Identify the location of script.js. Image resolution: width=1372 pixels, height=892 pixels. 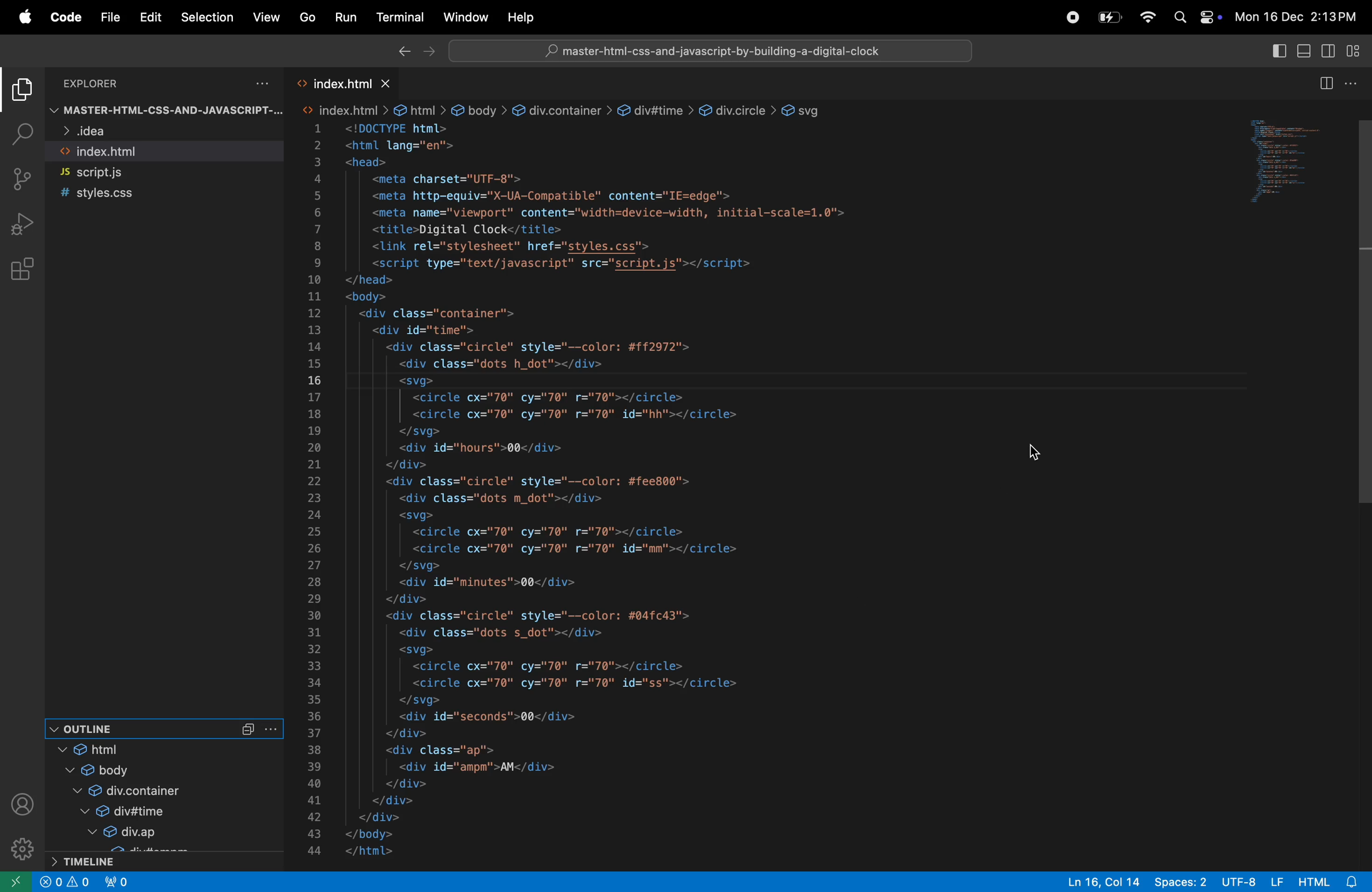
(161, 172).